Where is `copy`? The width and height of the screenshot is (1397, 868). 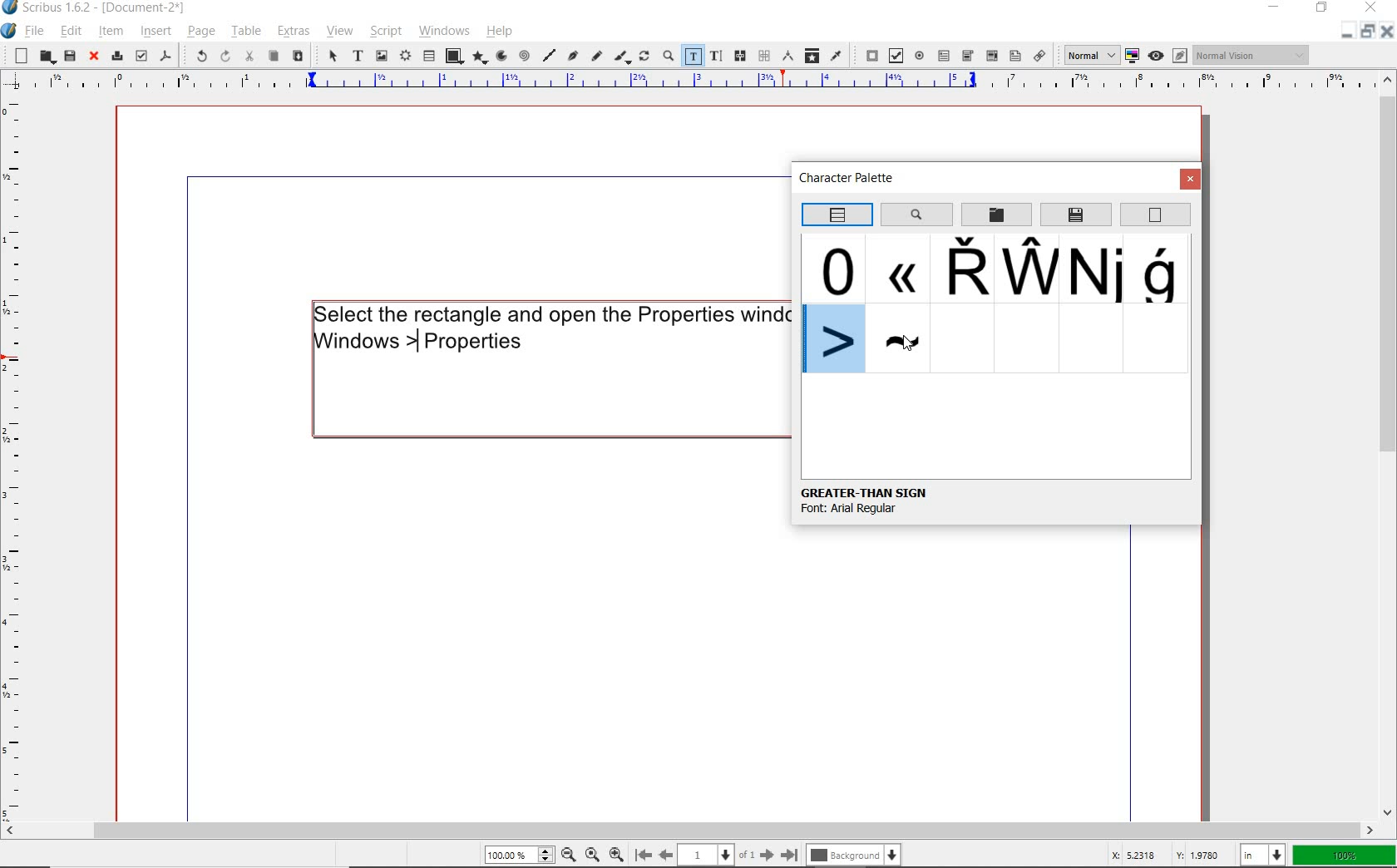
copy is located at coordinates (274, 57).